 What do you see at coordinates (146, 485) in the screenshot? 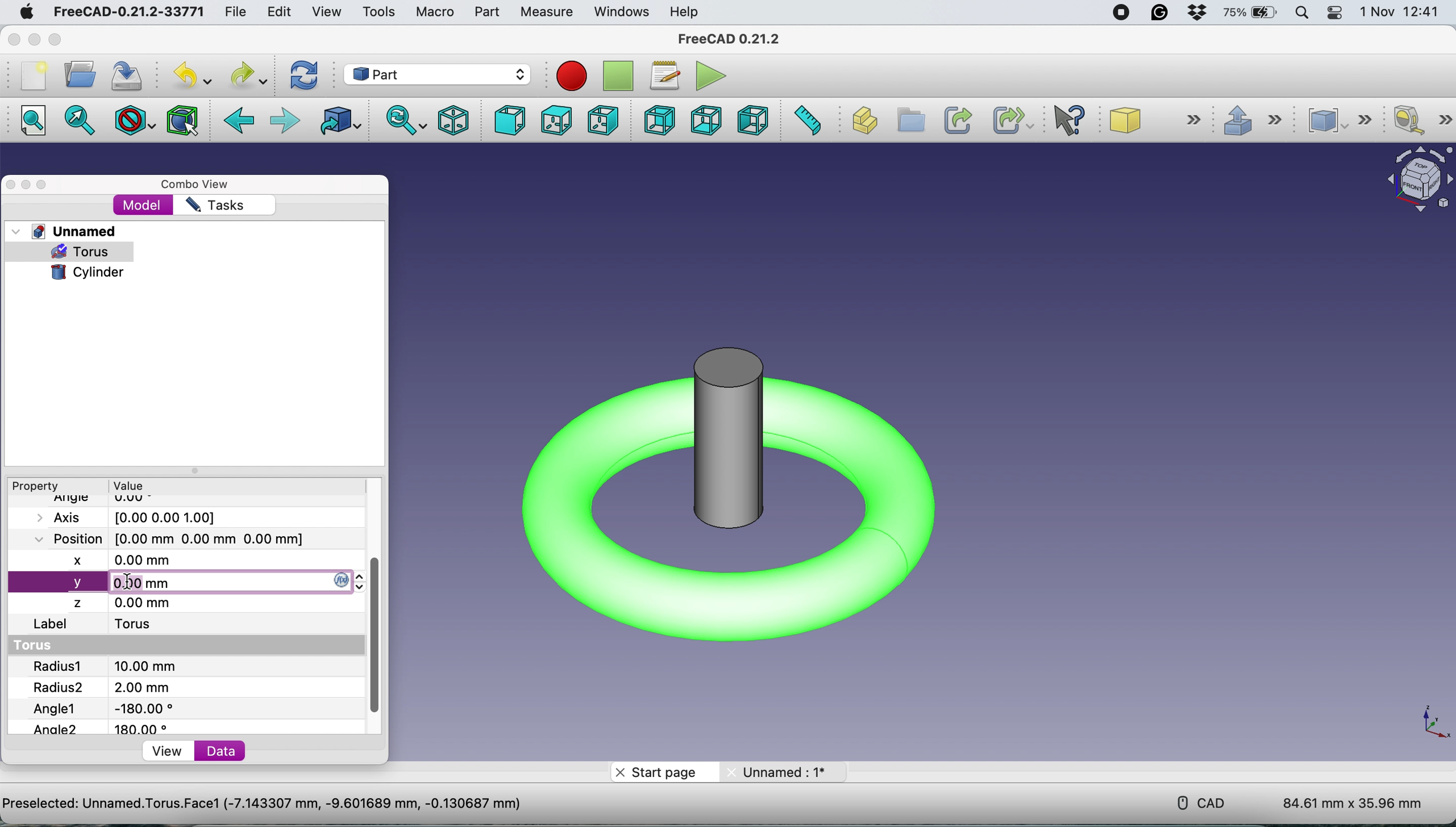
I see `value` at bounding box center [146, 485].